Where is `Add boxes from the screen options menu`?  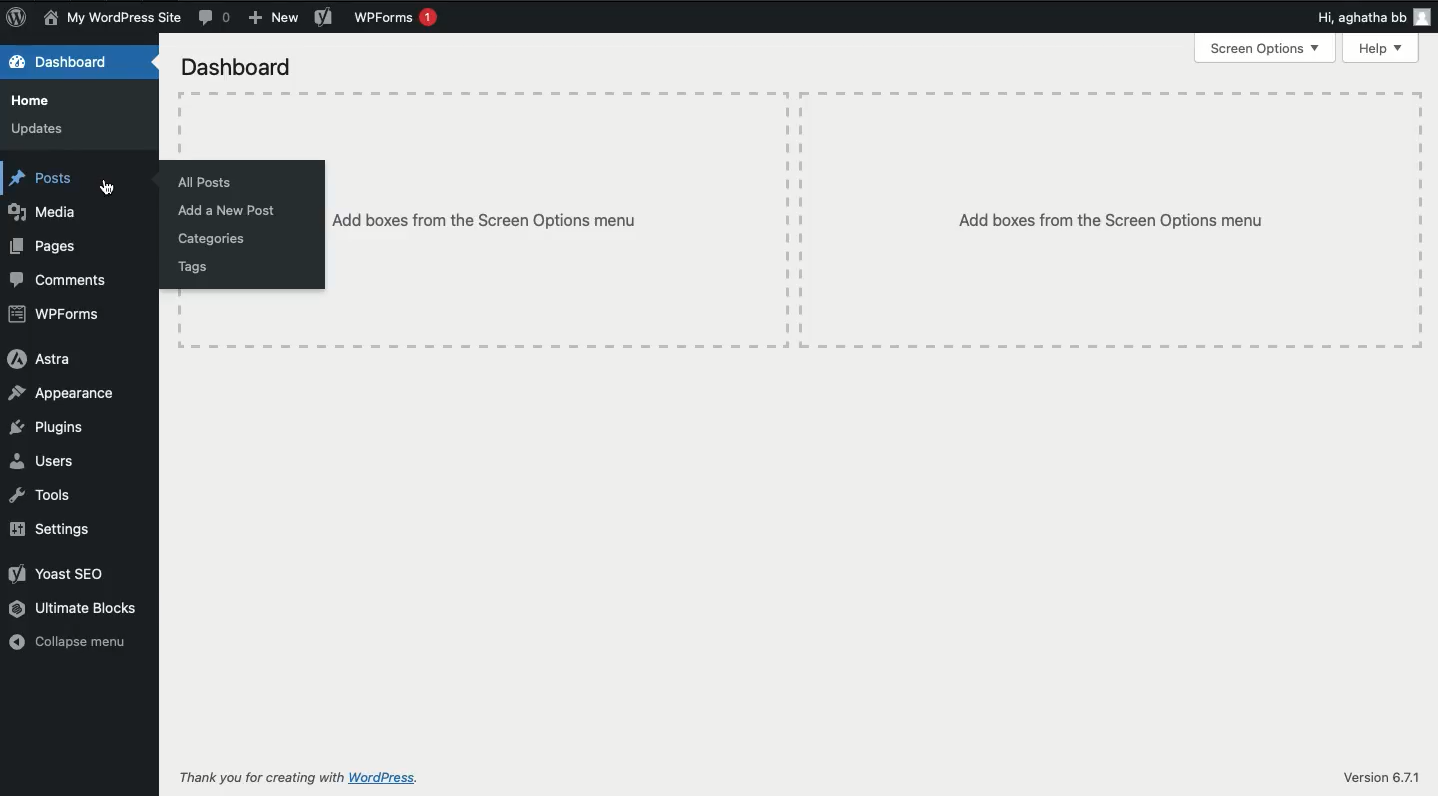
Add boxes from the screen options menu is located at coordinates (1110, 221).